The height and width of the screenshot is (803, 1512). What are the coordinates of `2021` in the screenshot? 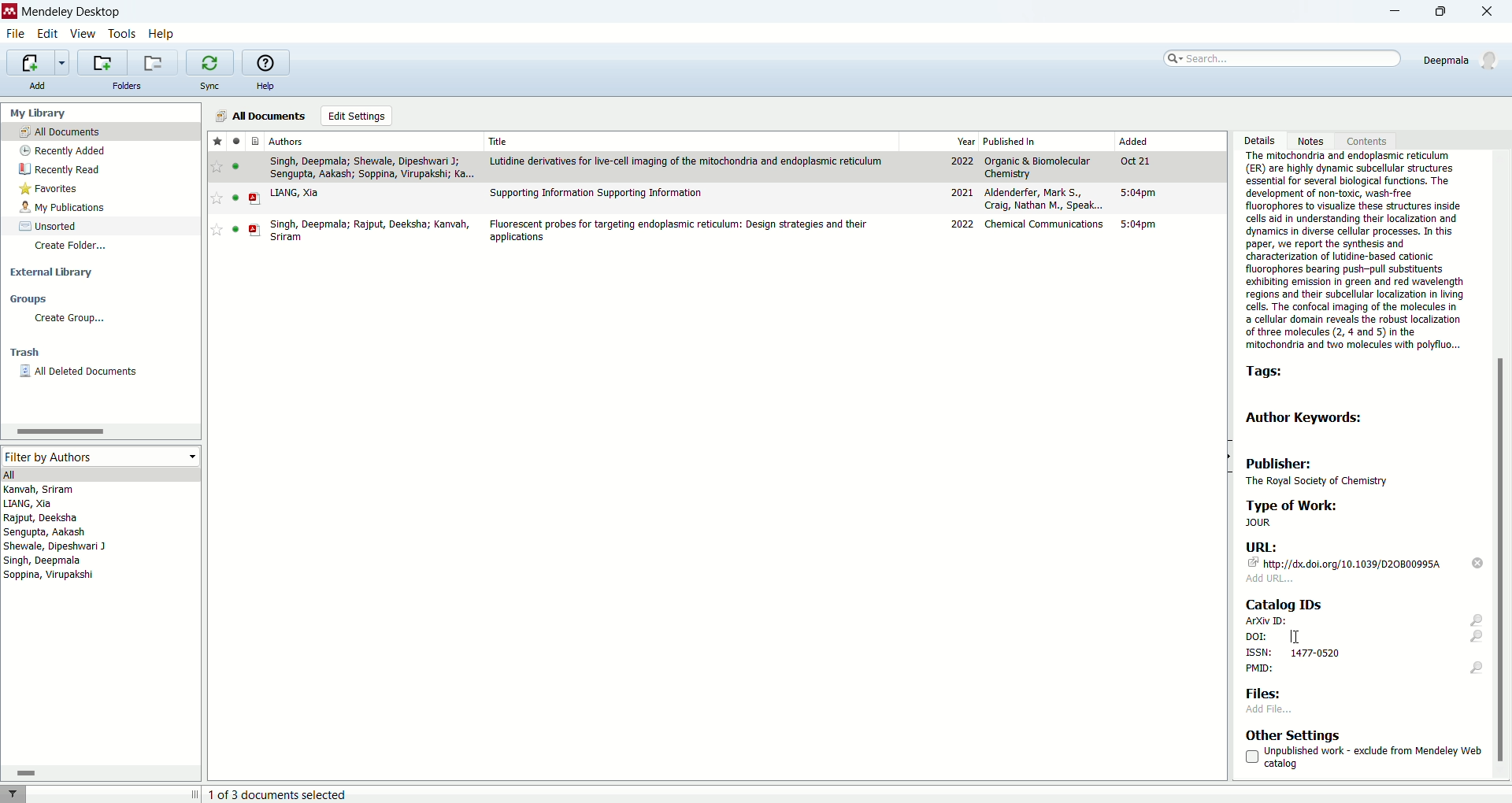 It's located at (962, 192).